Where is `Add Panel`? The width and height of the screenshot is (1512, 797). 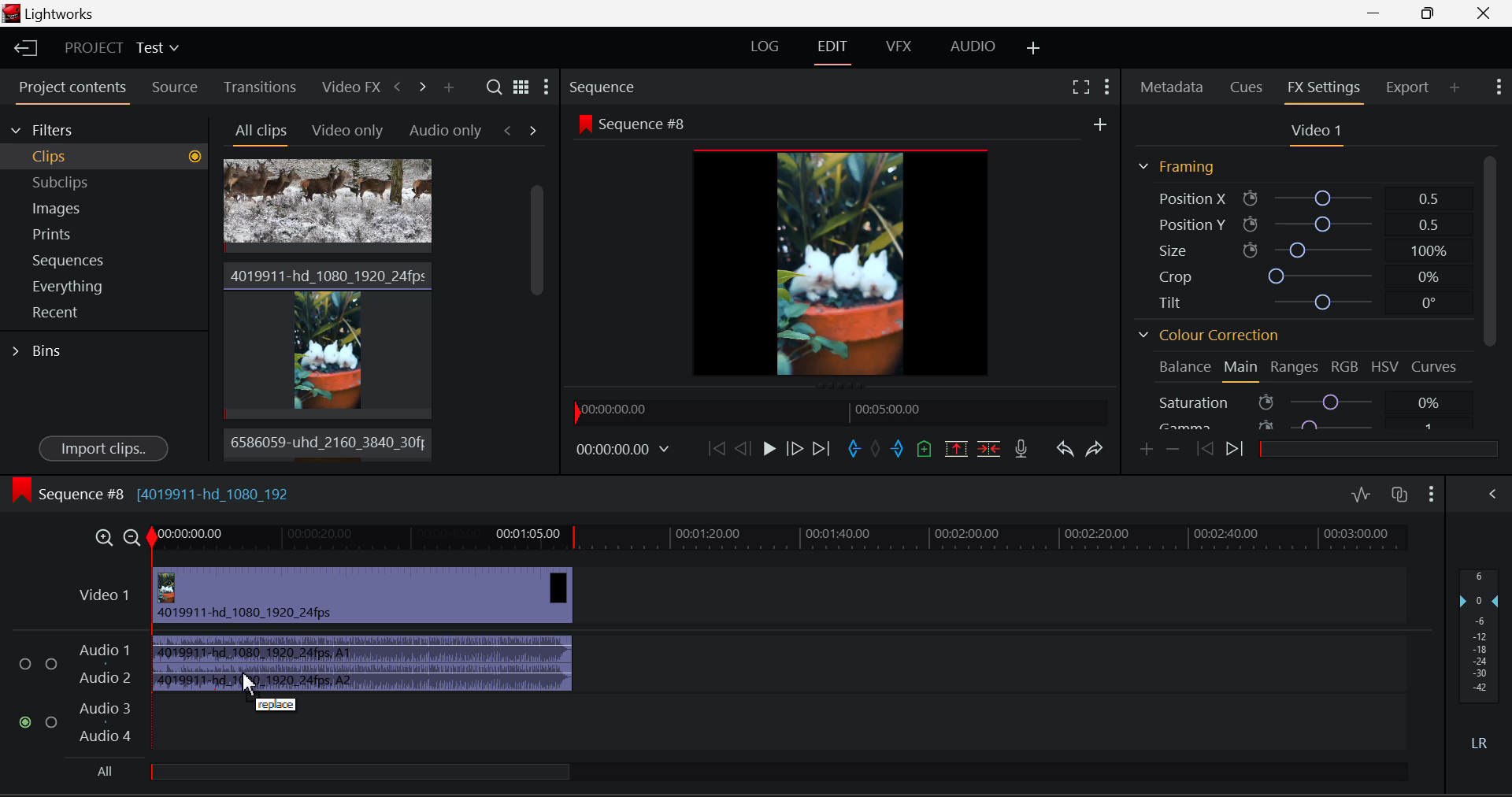 Add Panel is located at coordinates (448, 87).